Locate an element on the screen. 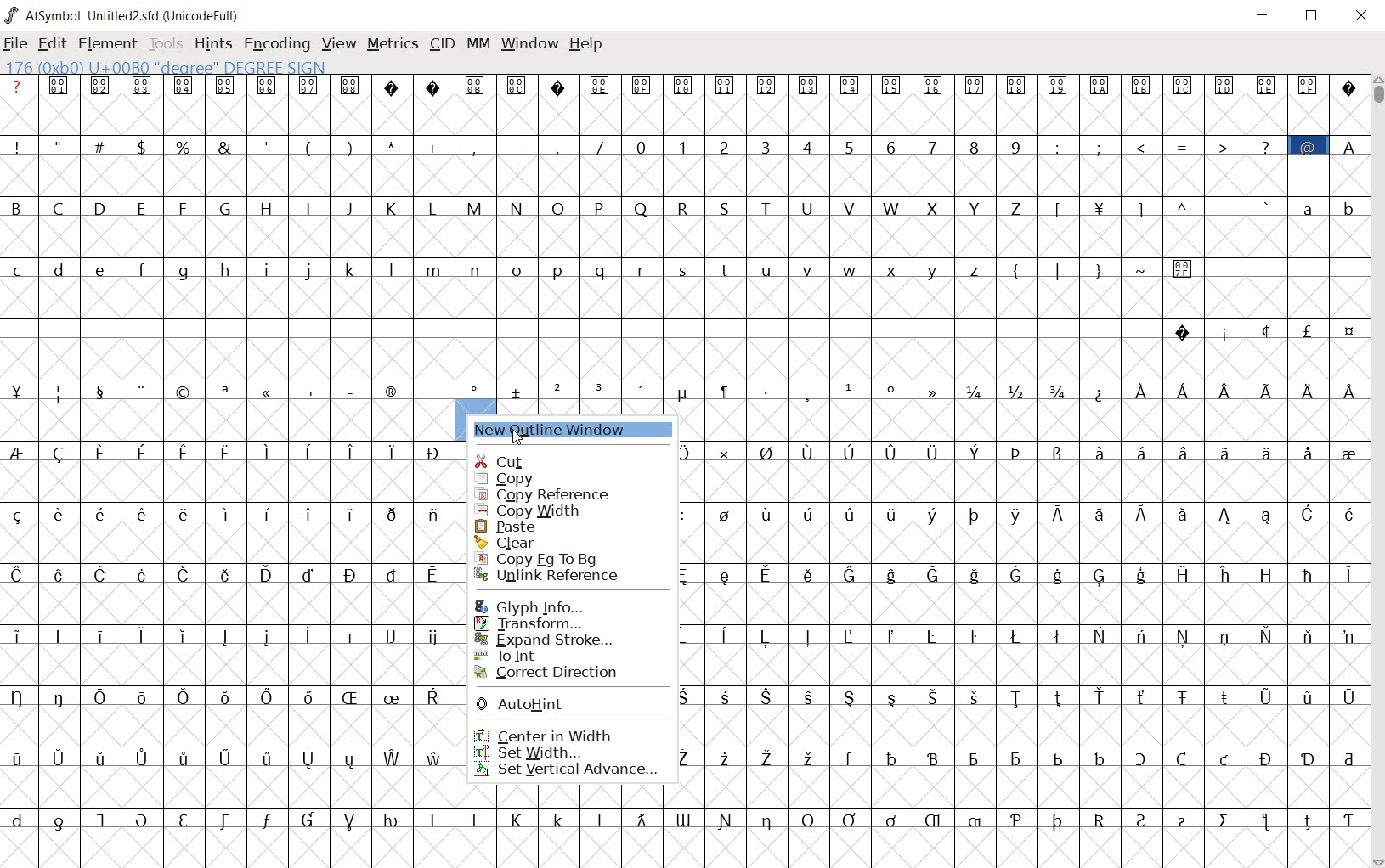 The image size is (1385, 868). unsupported charters is located at coordinates (1349, 84).